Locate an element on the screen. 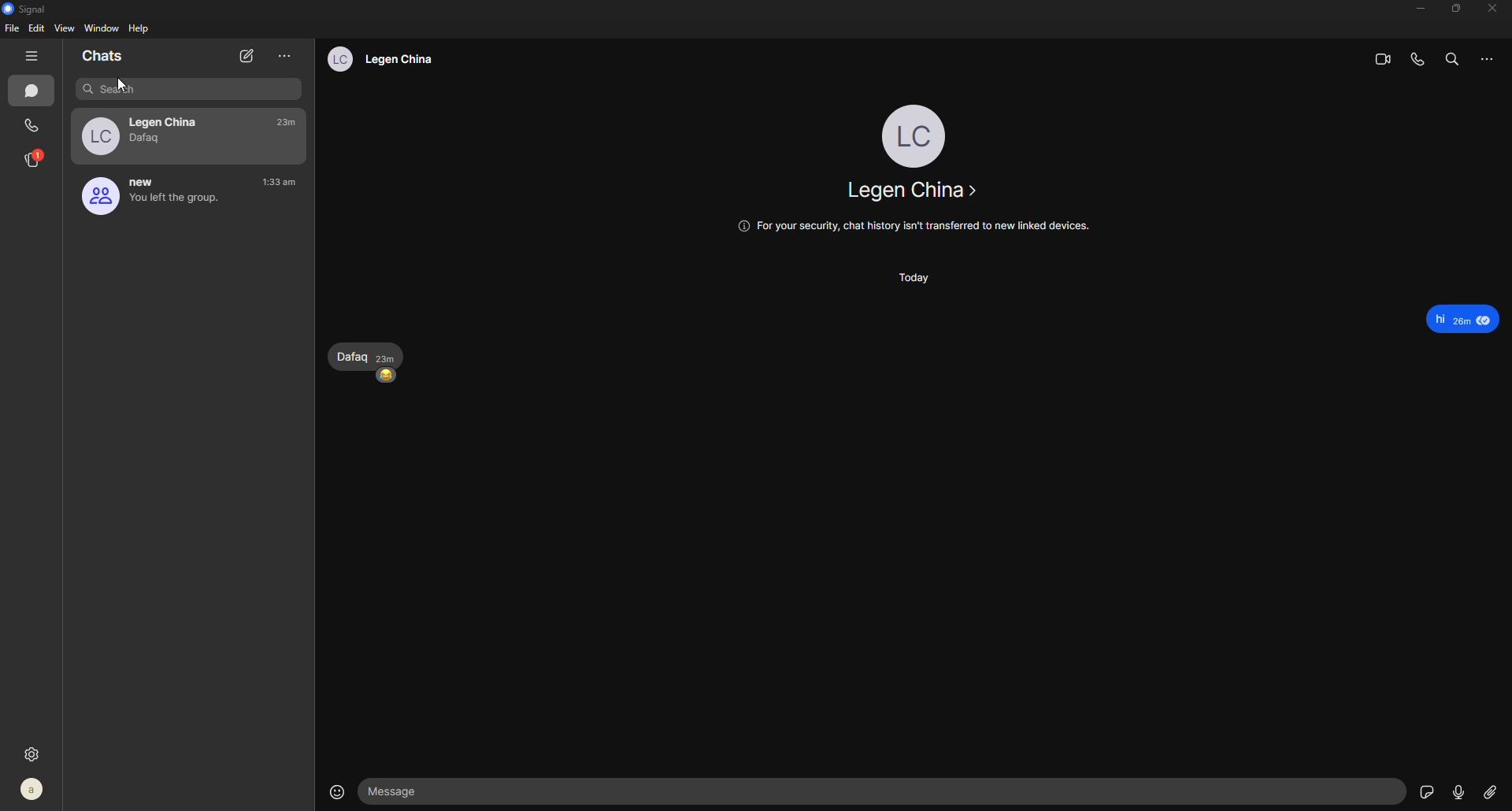 This screenshot has width=1512, height=811. maximize is located at coordinates (1458, 12).